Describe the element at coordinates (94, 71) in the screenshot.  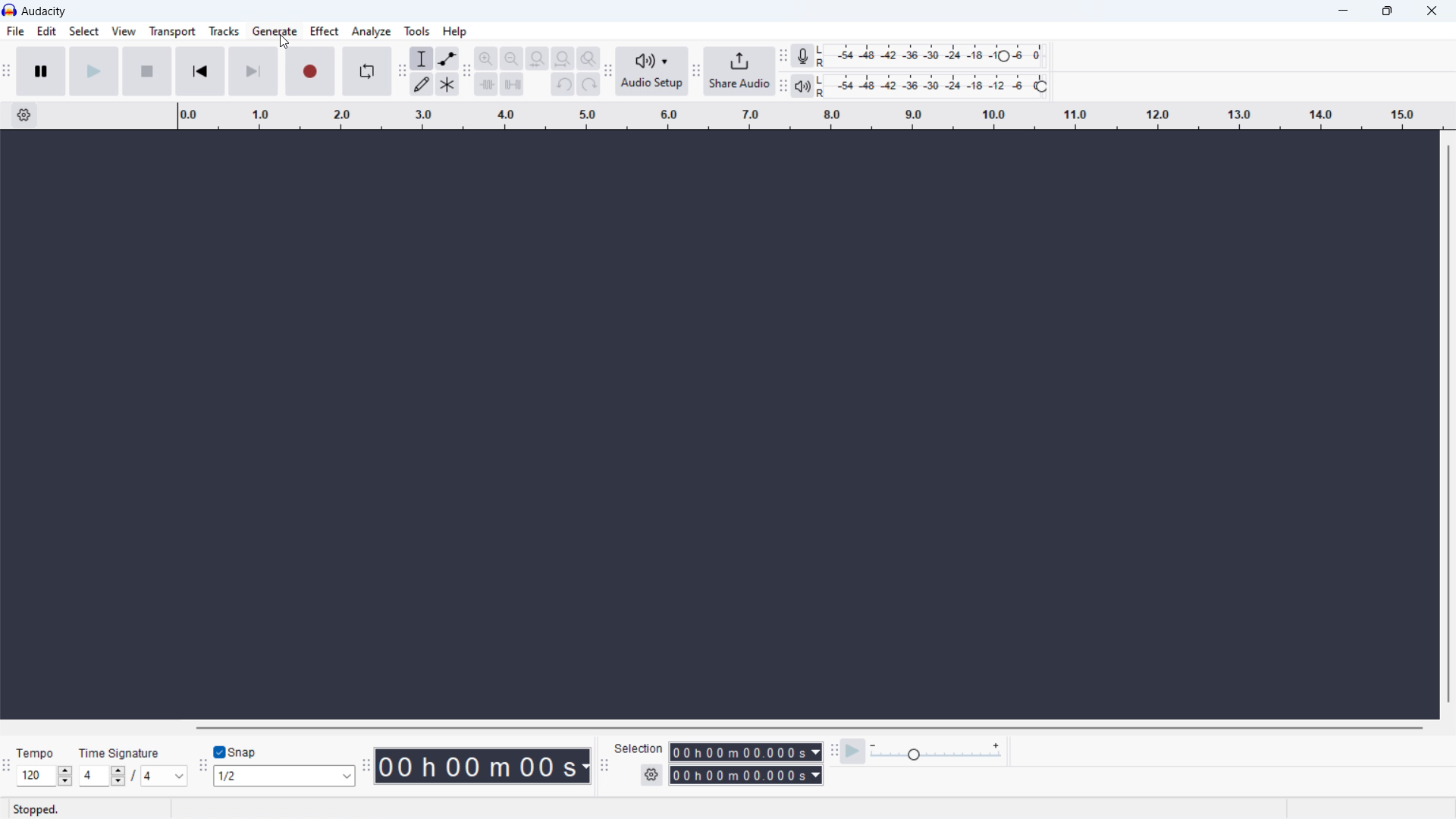
I see `play` at that location.